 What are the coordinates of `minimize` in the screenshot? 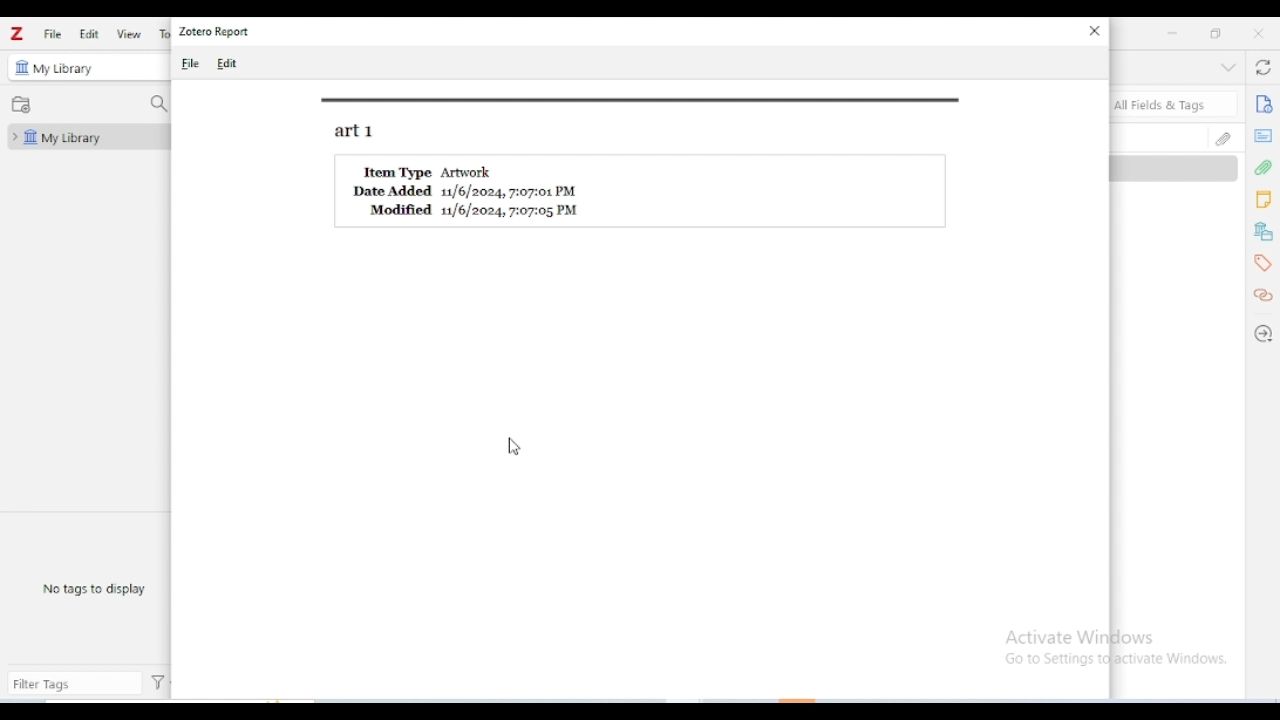 It's located at (1173, 33).